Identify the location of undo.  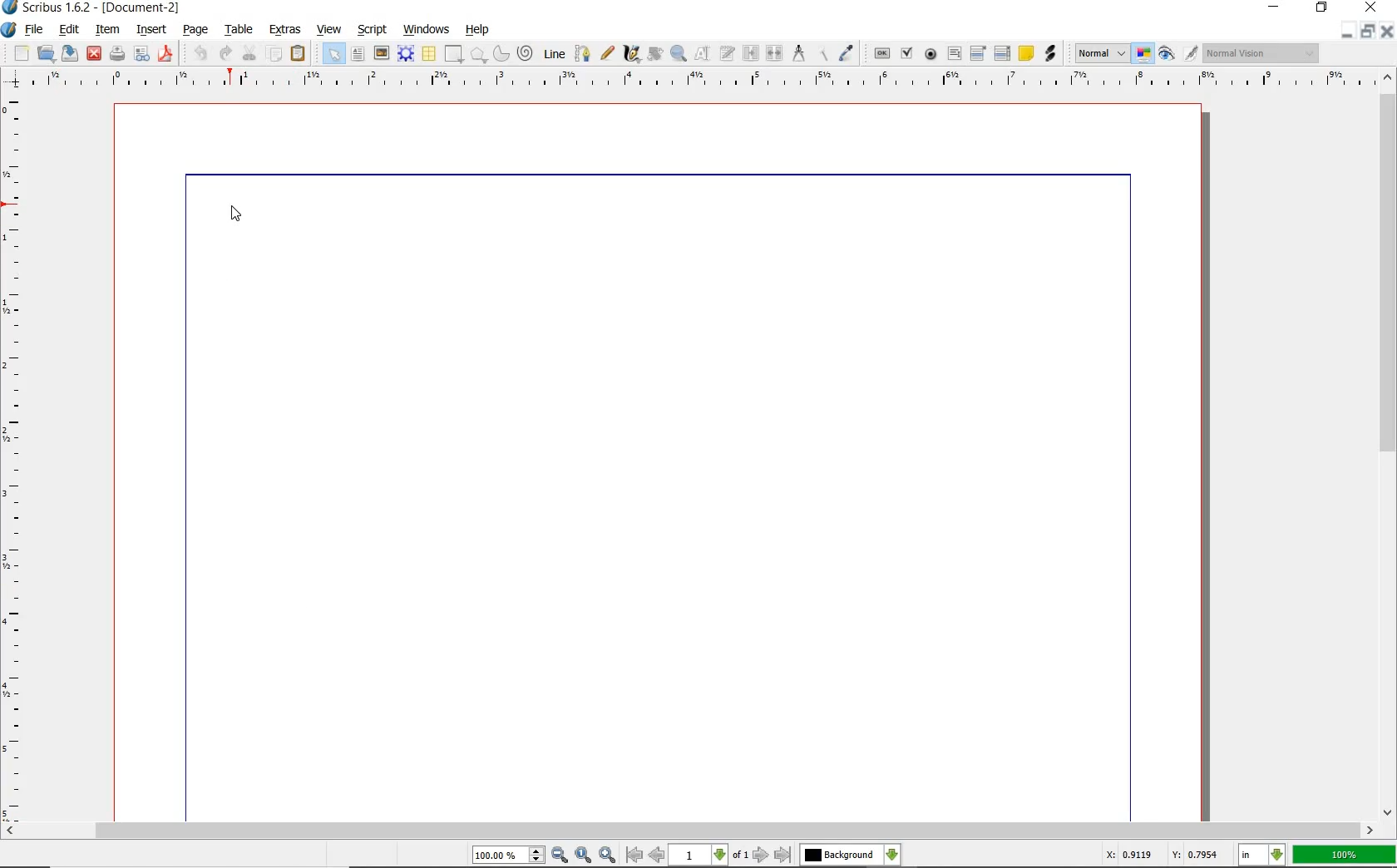
(201, 54).